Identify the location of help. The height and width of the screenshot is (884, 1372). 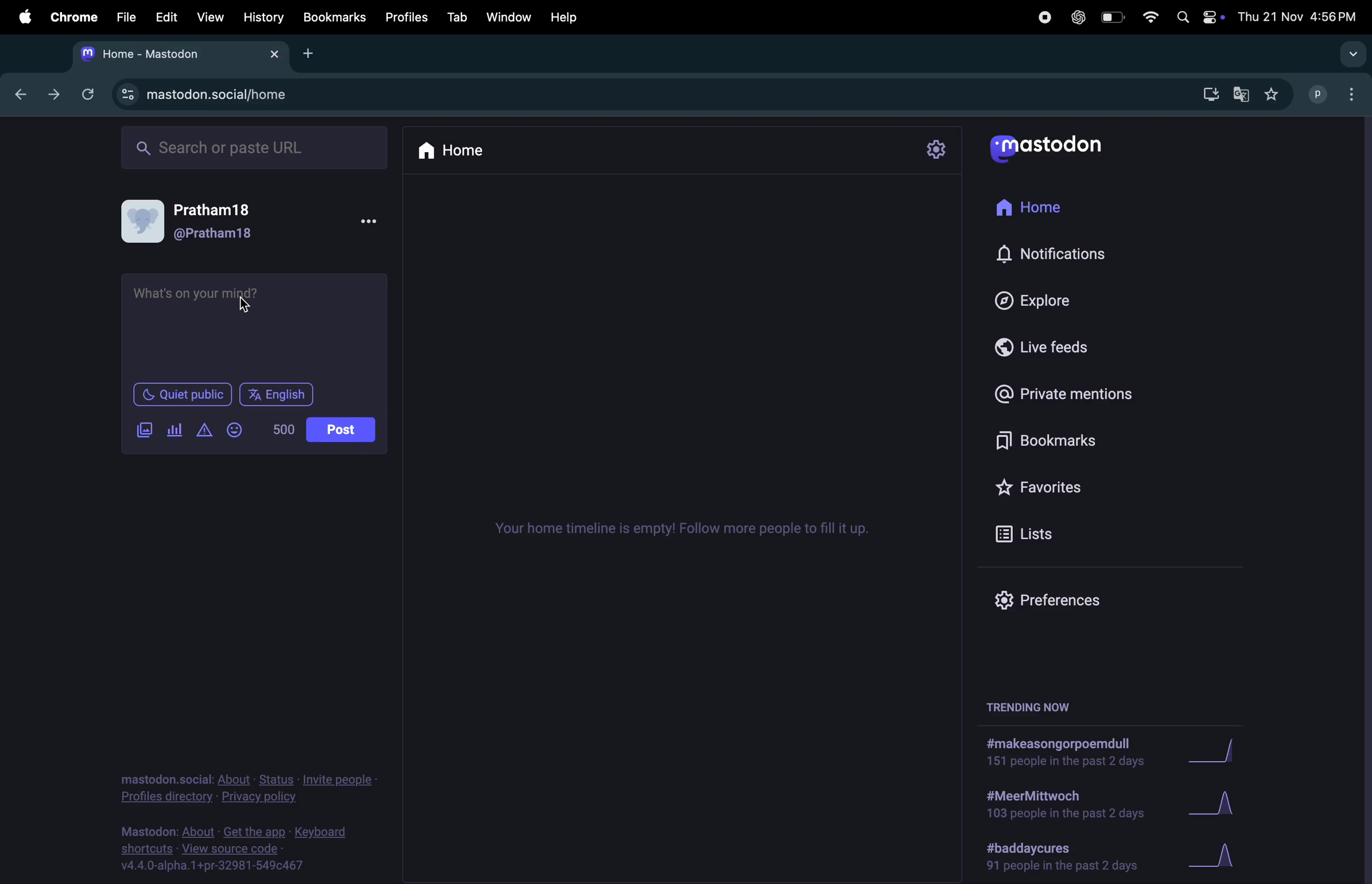
(565, 17).